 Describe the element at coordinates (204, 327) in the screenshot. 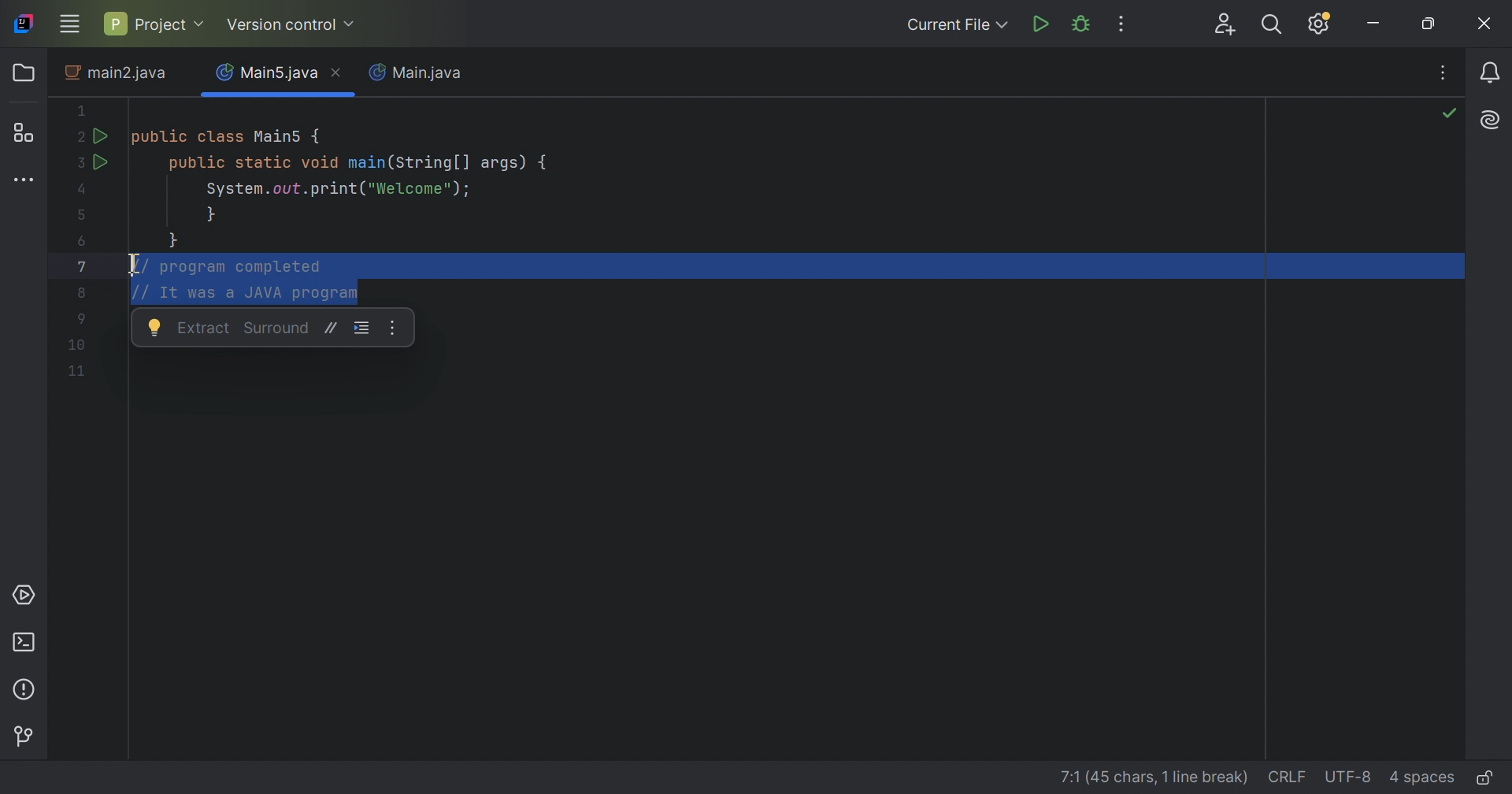

I see `Extract` at that location.